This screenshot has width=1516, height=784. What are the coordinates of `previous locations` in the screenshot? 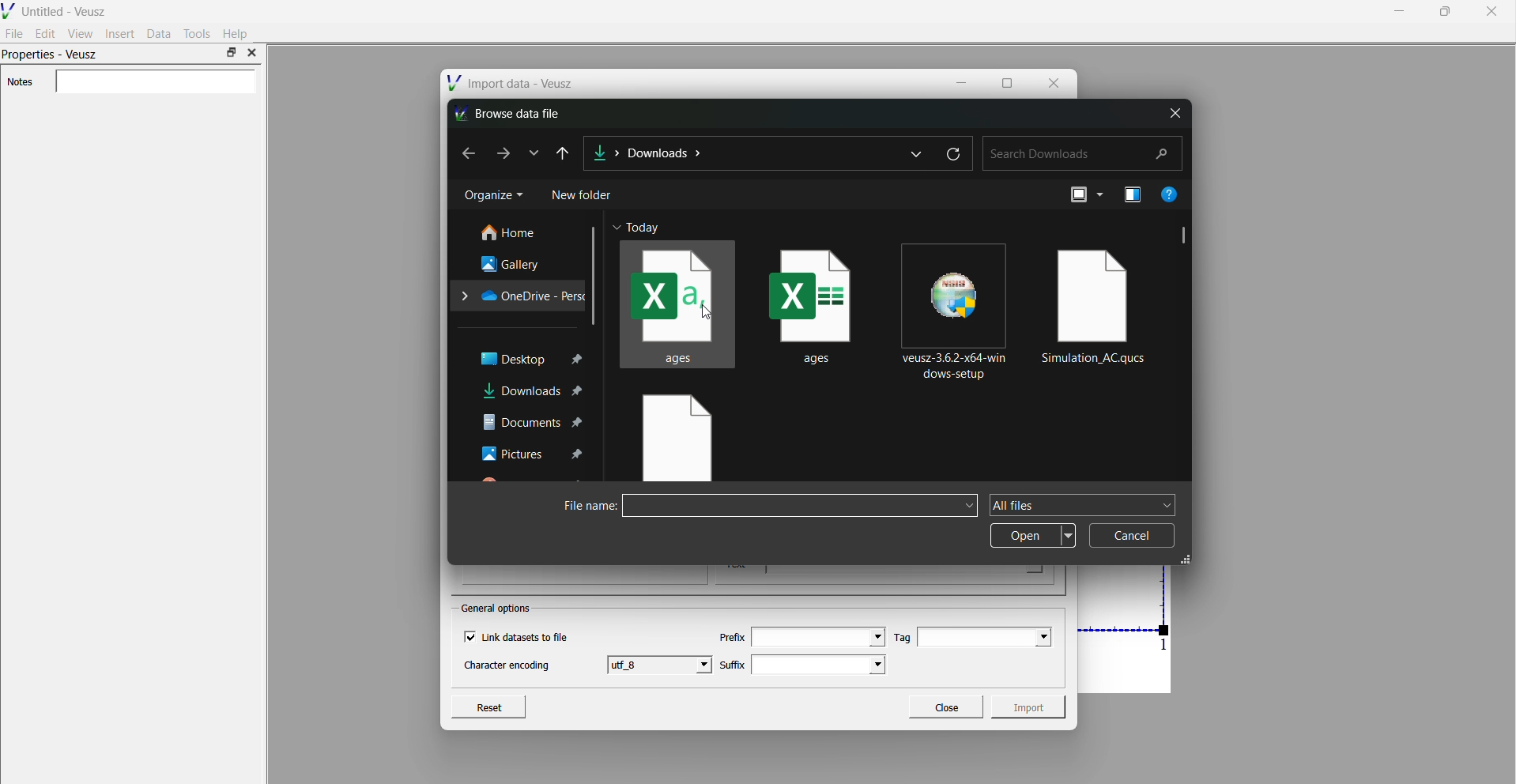 It's located at (918, 153).